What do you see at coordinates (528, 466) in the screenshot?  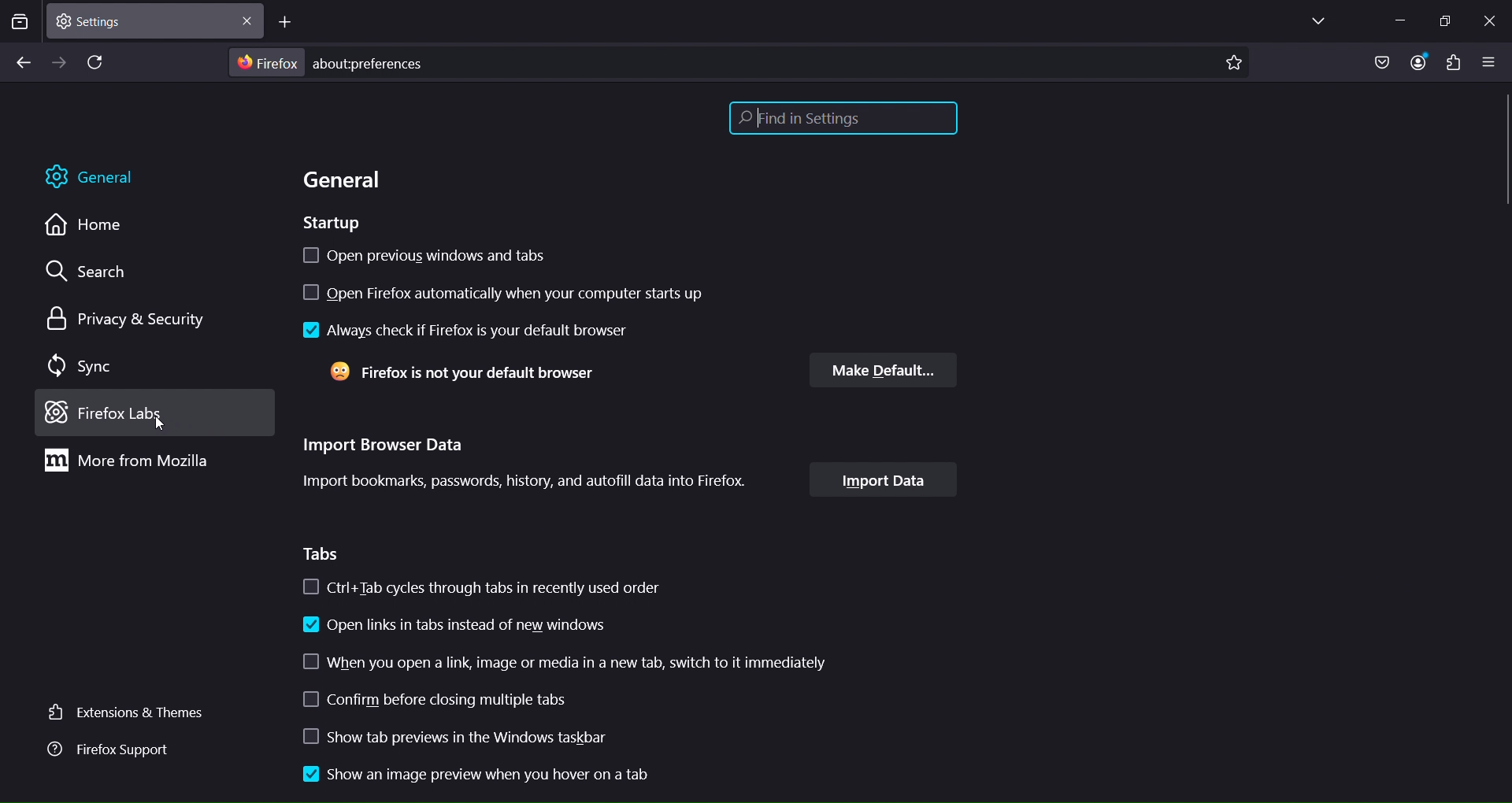 I see `Import Browser Data
Import bookmarks, passwords, history, and autofill data into Firefox.` at bounding box center [528, 466].